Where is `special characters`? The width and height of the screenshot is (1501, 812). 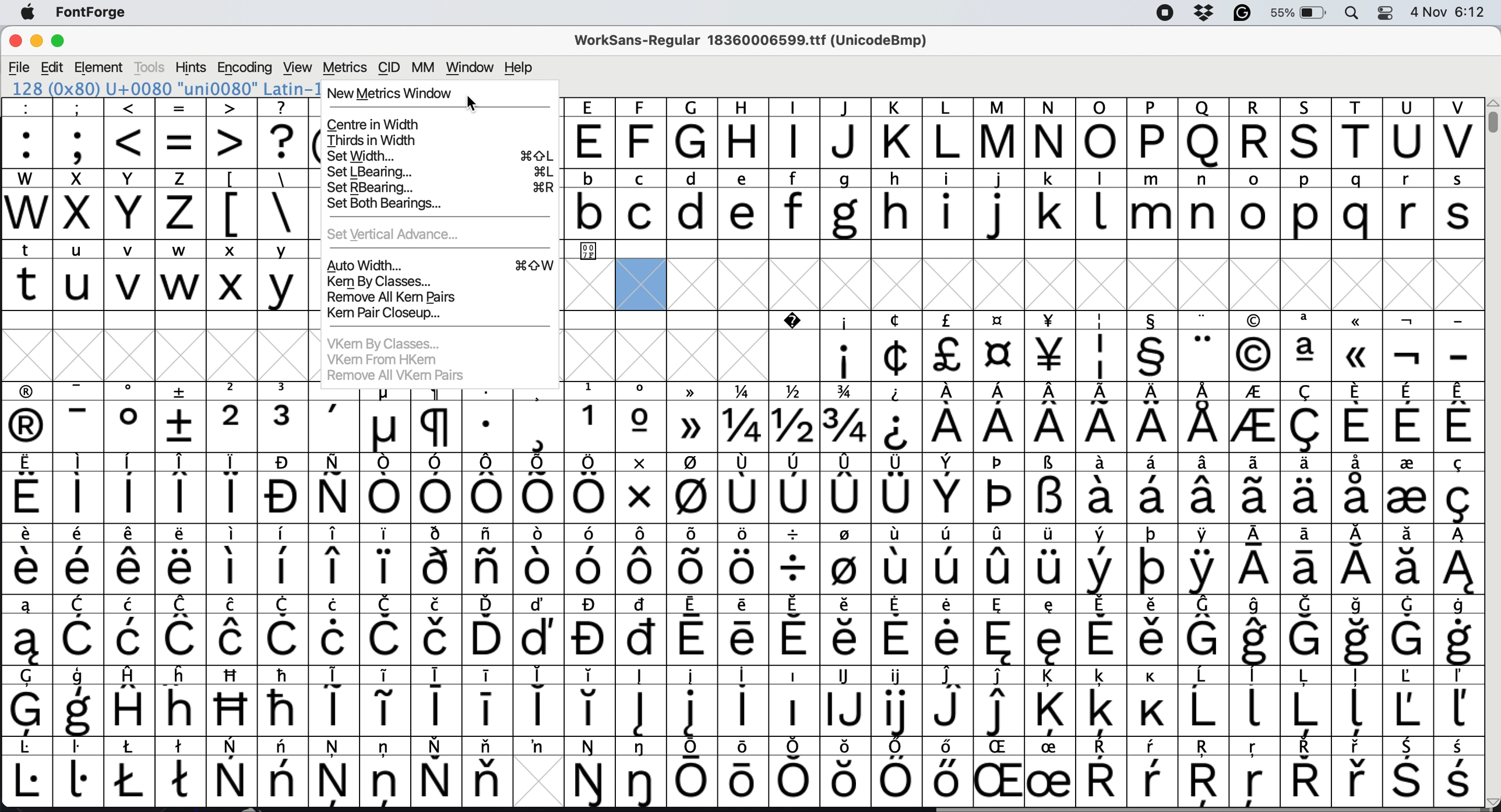
special characters is located at coordinates (745, 638).